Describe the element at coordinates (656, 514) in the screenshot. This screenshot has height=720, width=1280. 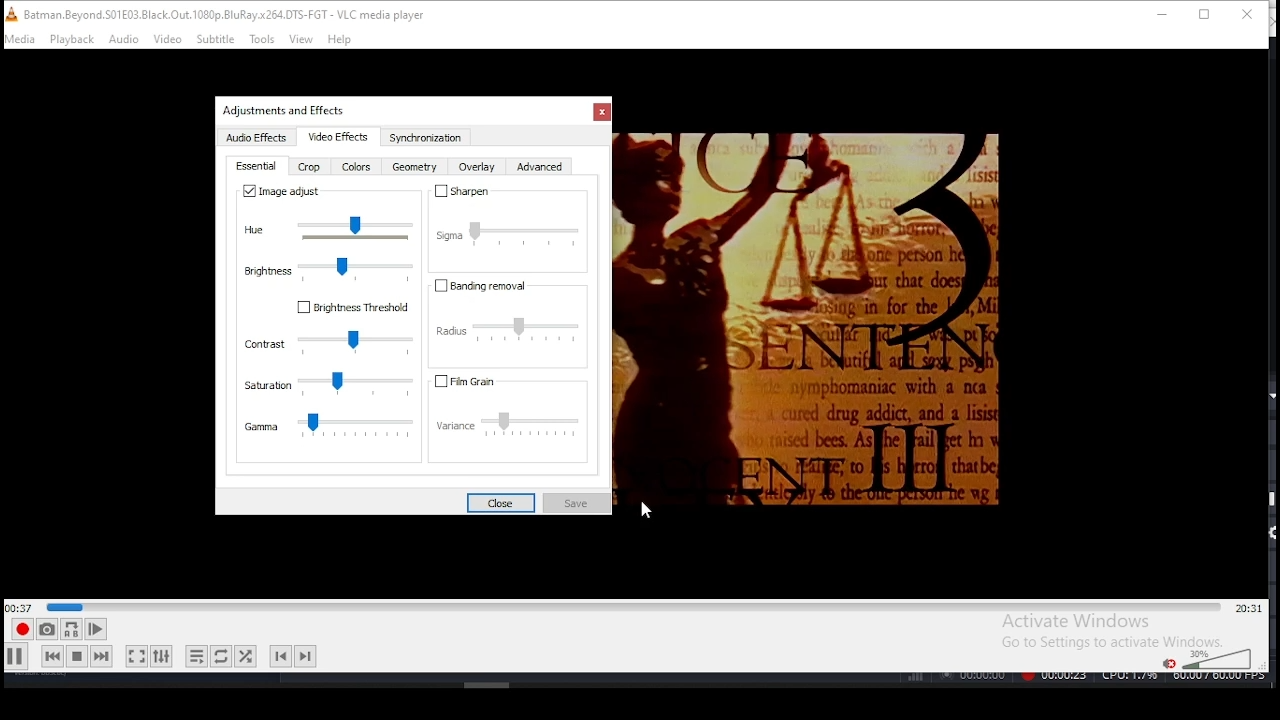
I see `mouse pointer` at that location.